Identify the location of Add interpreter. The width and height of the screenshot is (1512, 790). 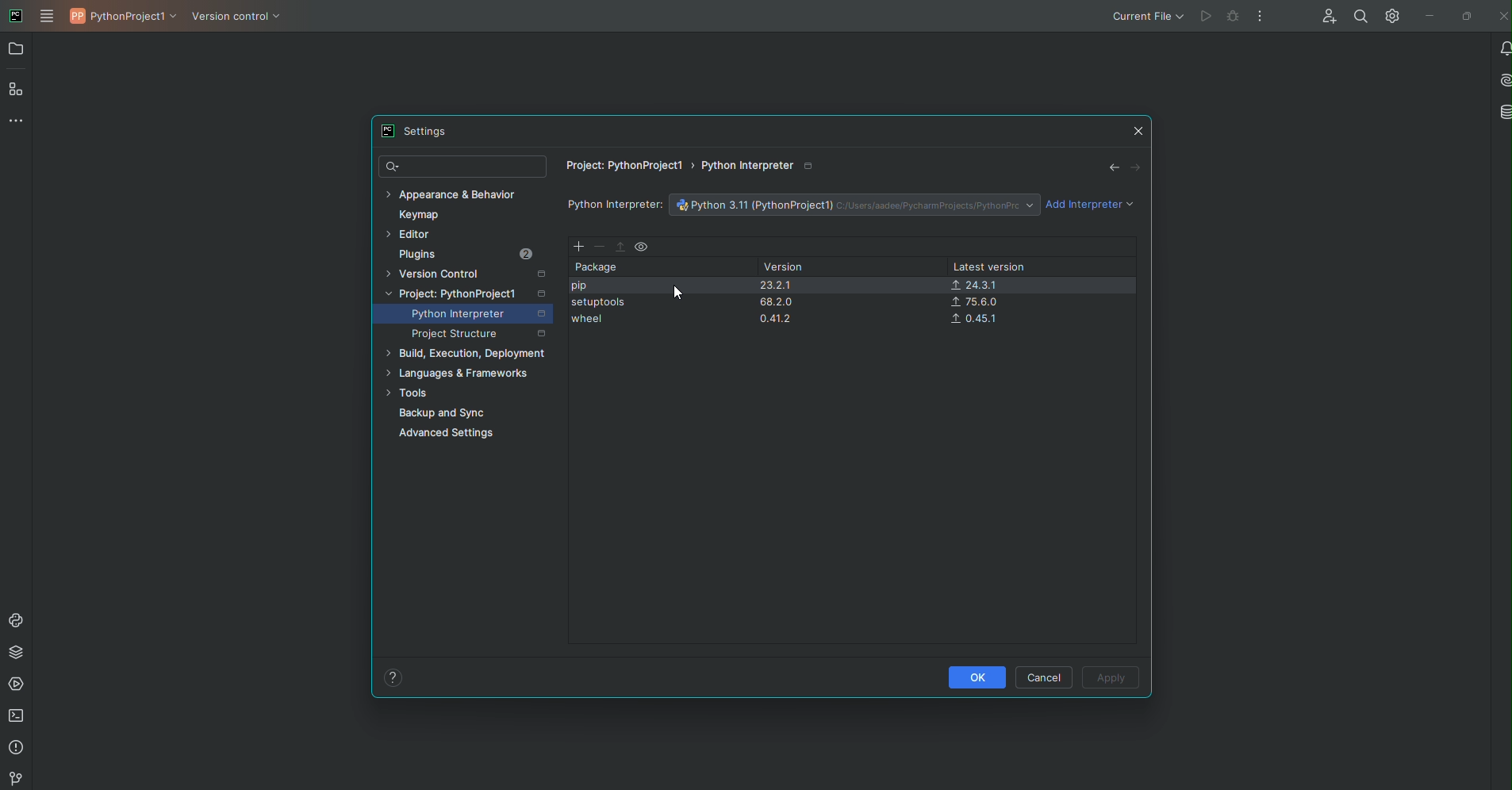
(1091, 205).